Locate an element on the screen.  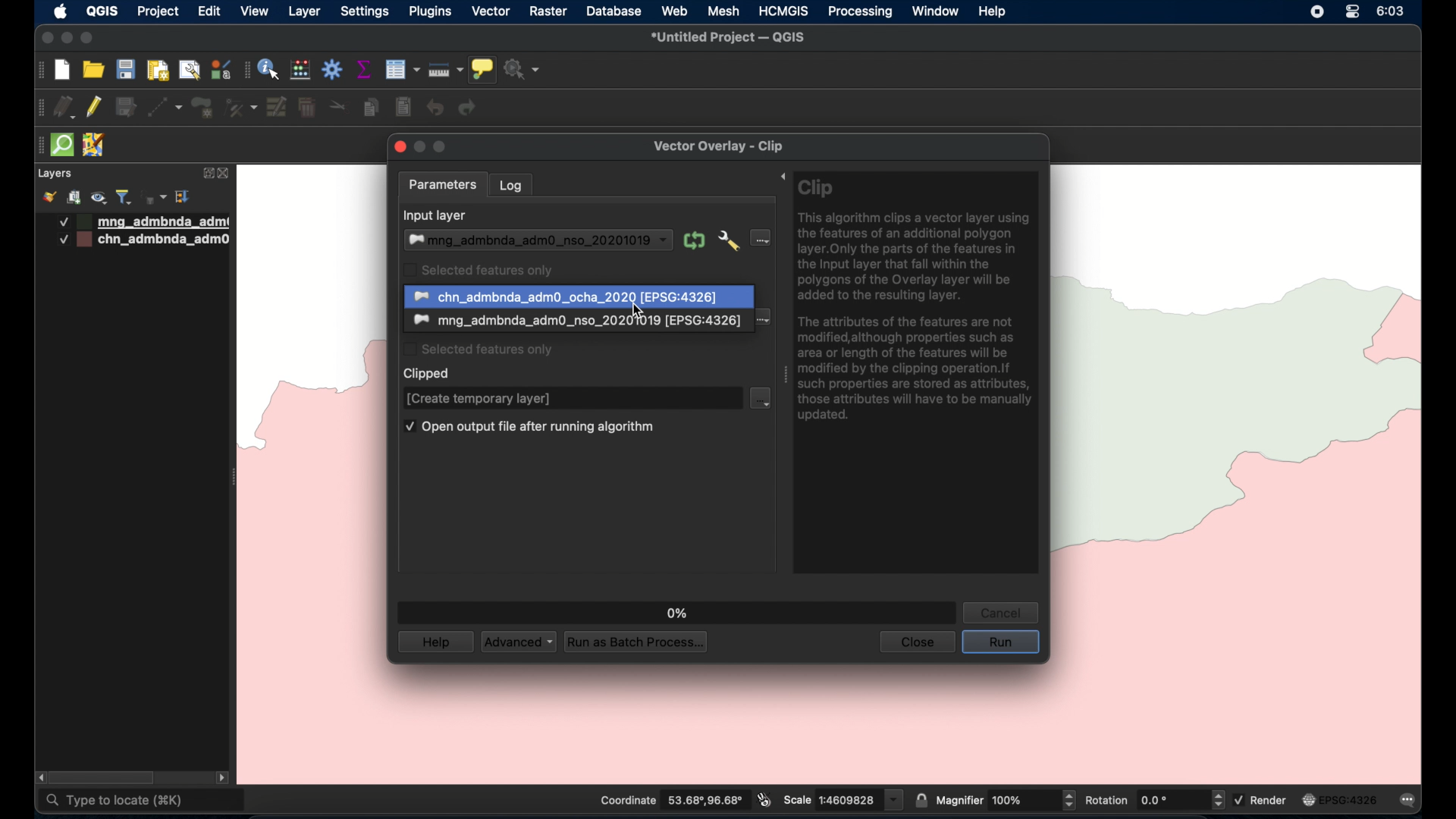
window is located at coordinates (937, 11).